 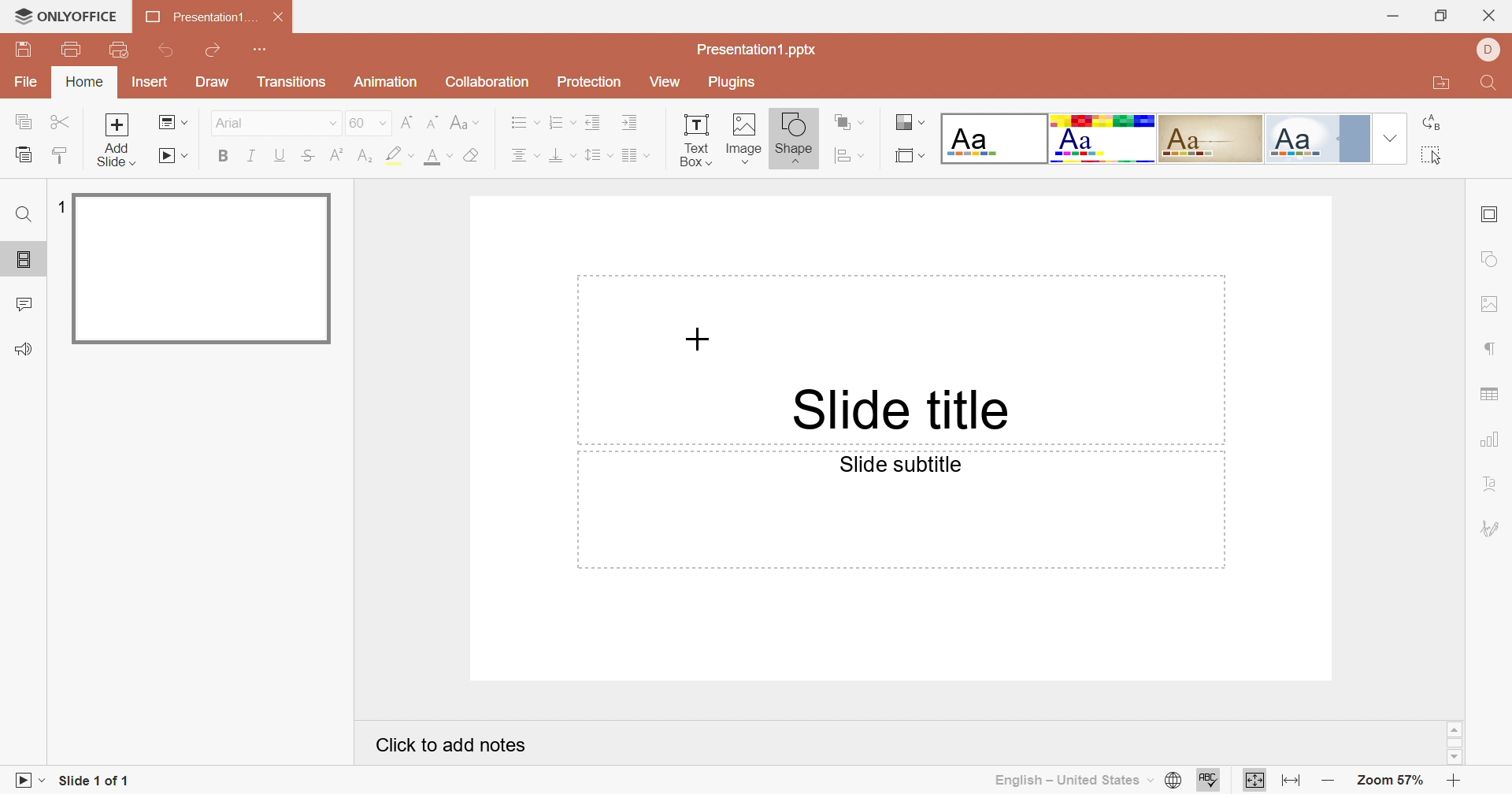 What do you see at coordinates (475, 156) in the screenshot?
I see `Clear style` at bounding box center [475, 156].